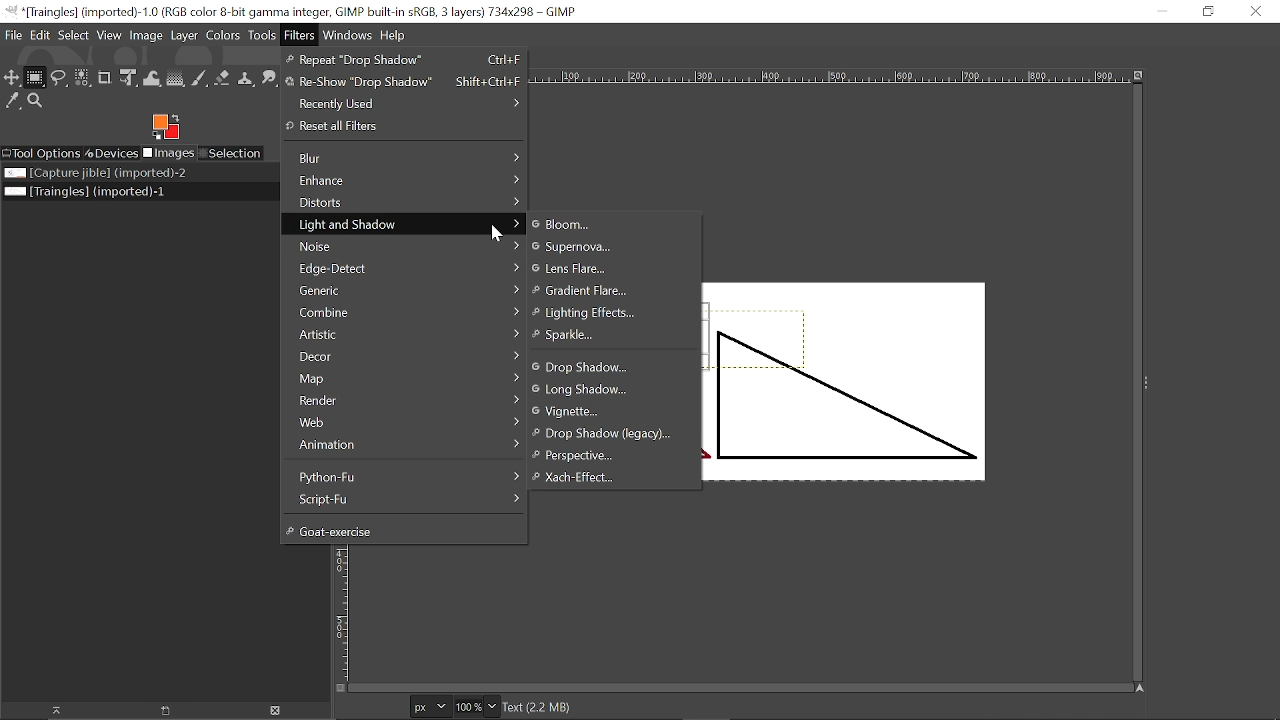  Describe the element at coordinates (165, 711) in the screenshot. I see `Open new display for this image` at that location.